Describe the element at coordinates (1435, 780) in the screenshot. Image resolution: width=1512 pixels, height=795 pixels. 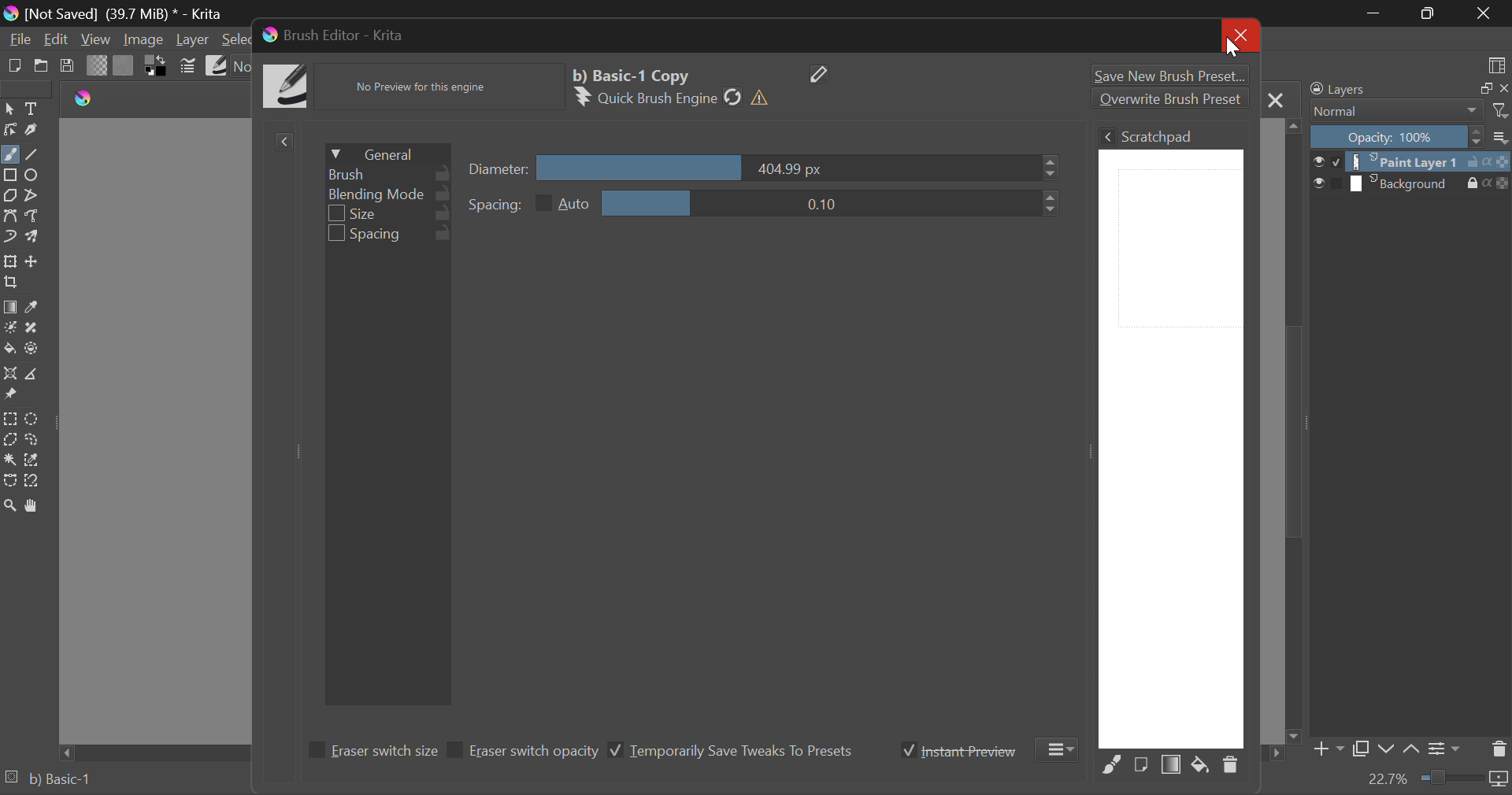
I see `Zoom 22.7%` at that location.